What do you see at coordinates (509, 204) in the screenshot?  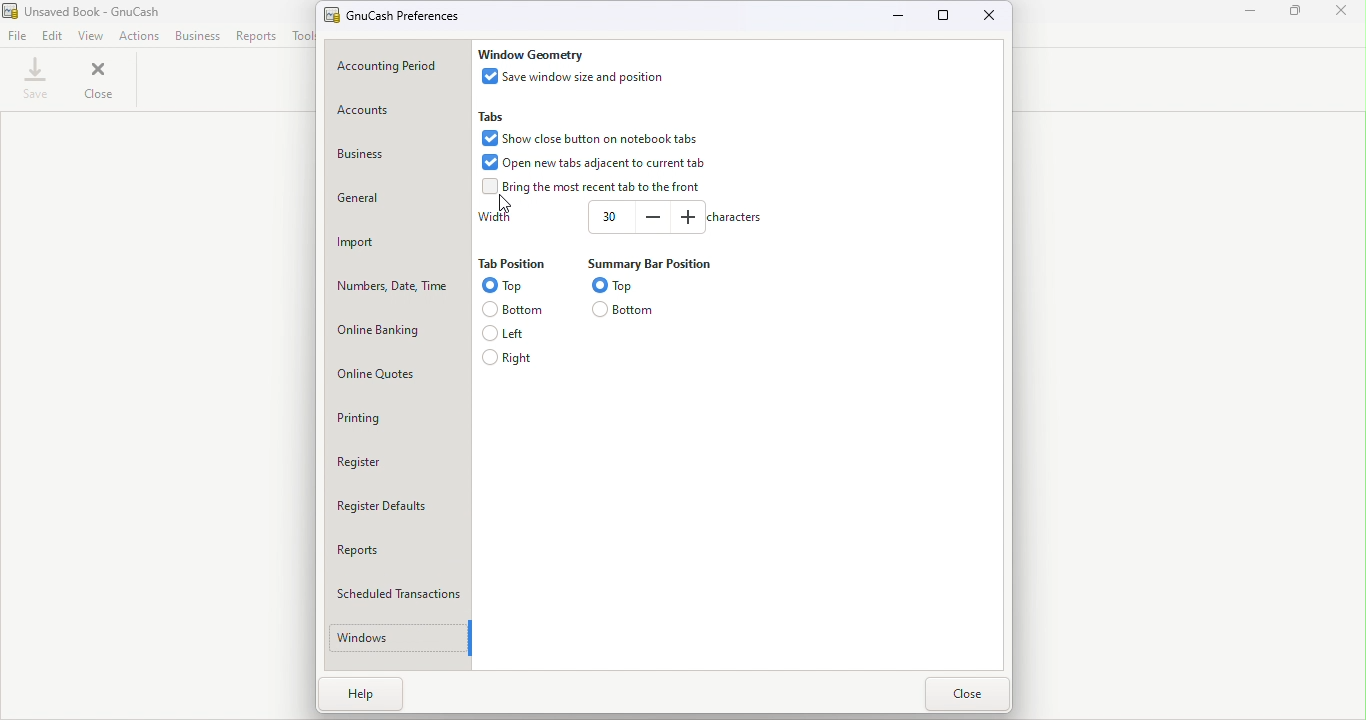 I see `cursor` at bounding box center [509, 204].